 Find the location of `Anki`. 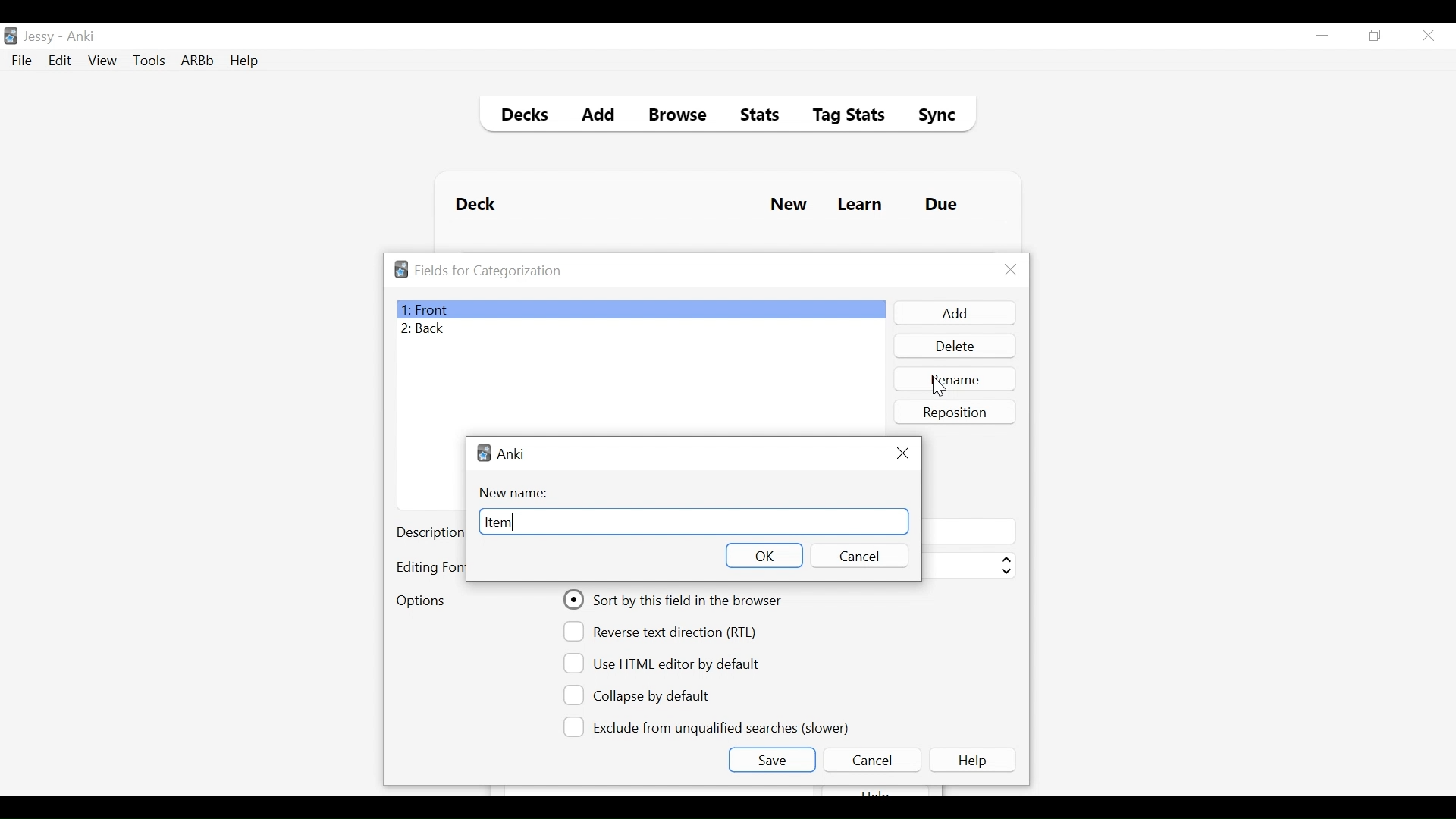

Anki is located at coordinates (81, 36).